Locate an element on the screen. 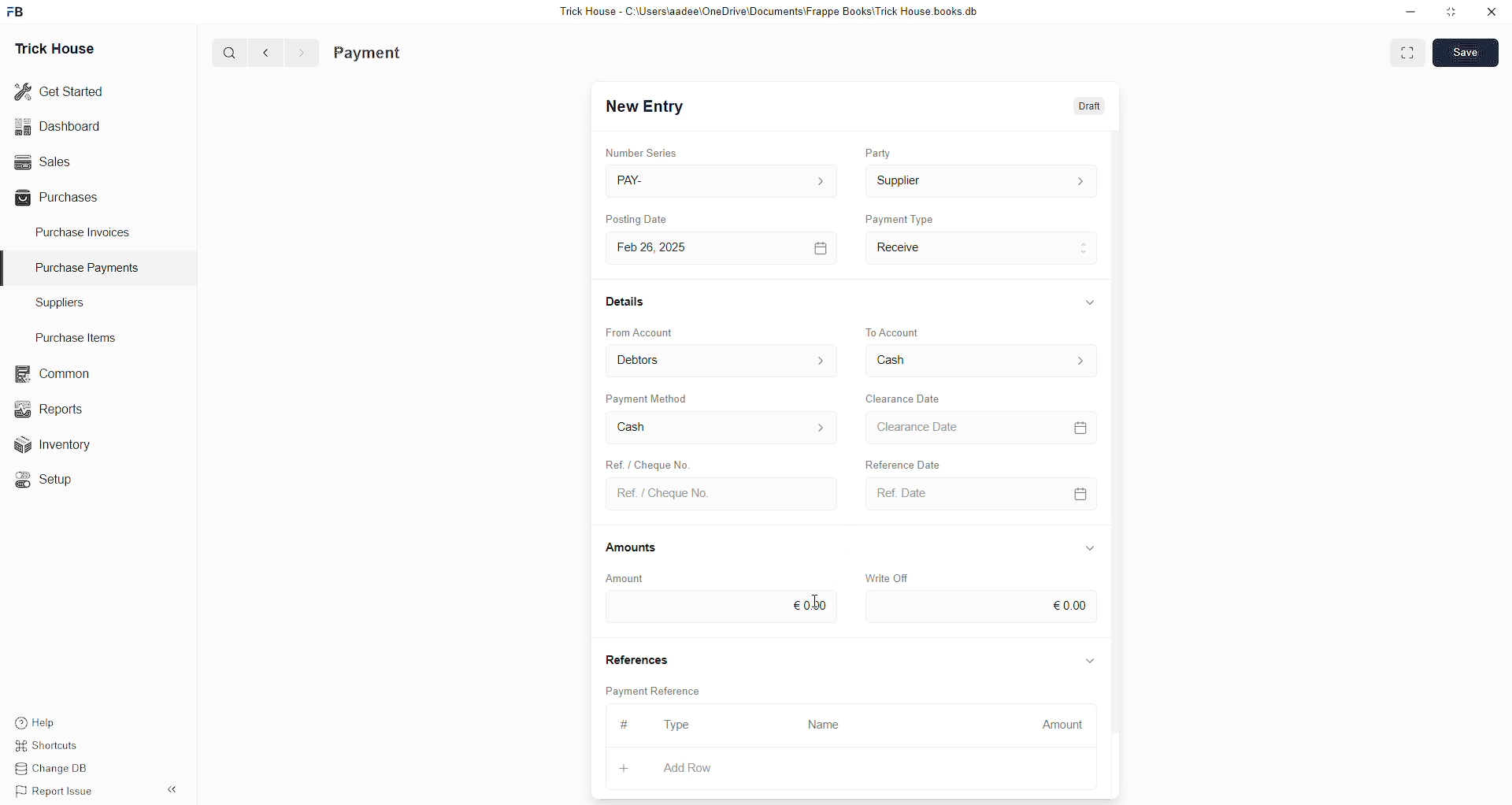 This screenshot has width=1512, height=805. Amount is located at coordinates (634, 577).